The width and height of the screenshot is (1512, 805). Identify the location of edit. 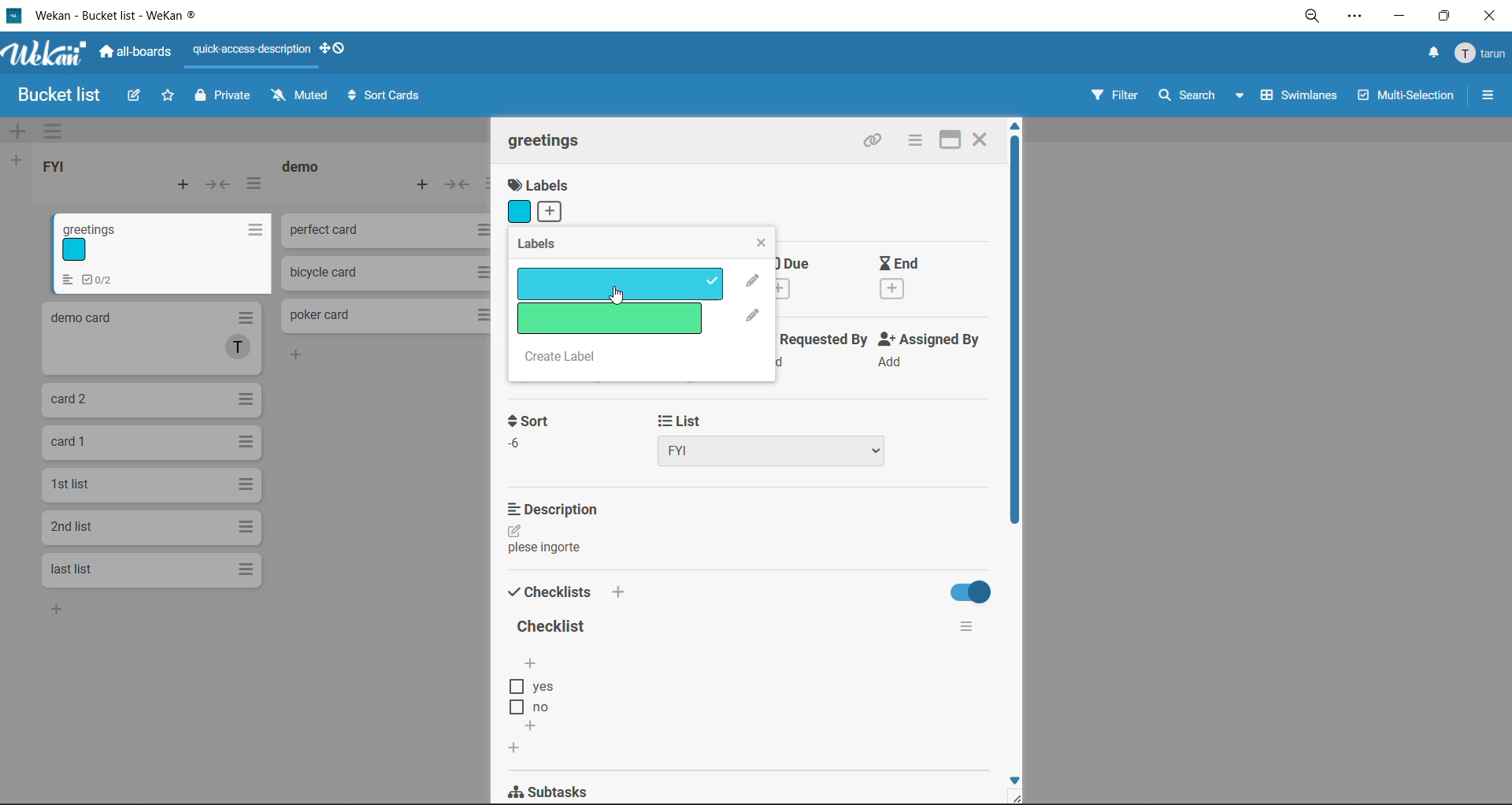
(135, 99).